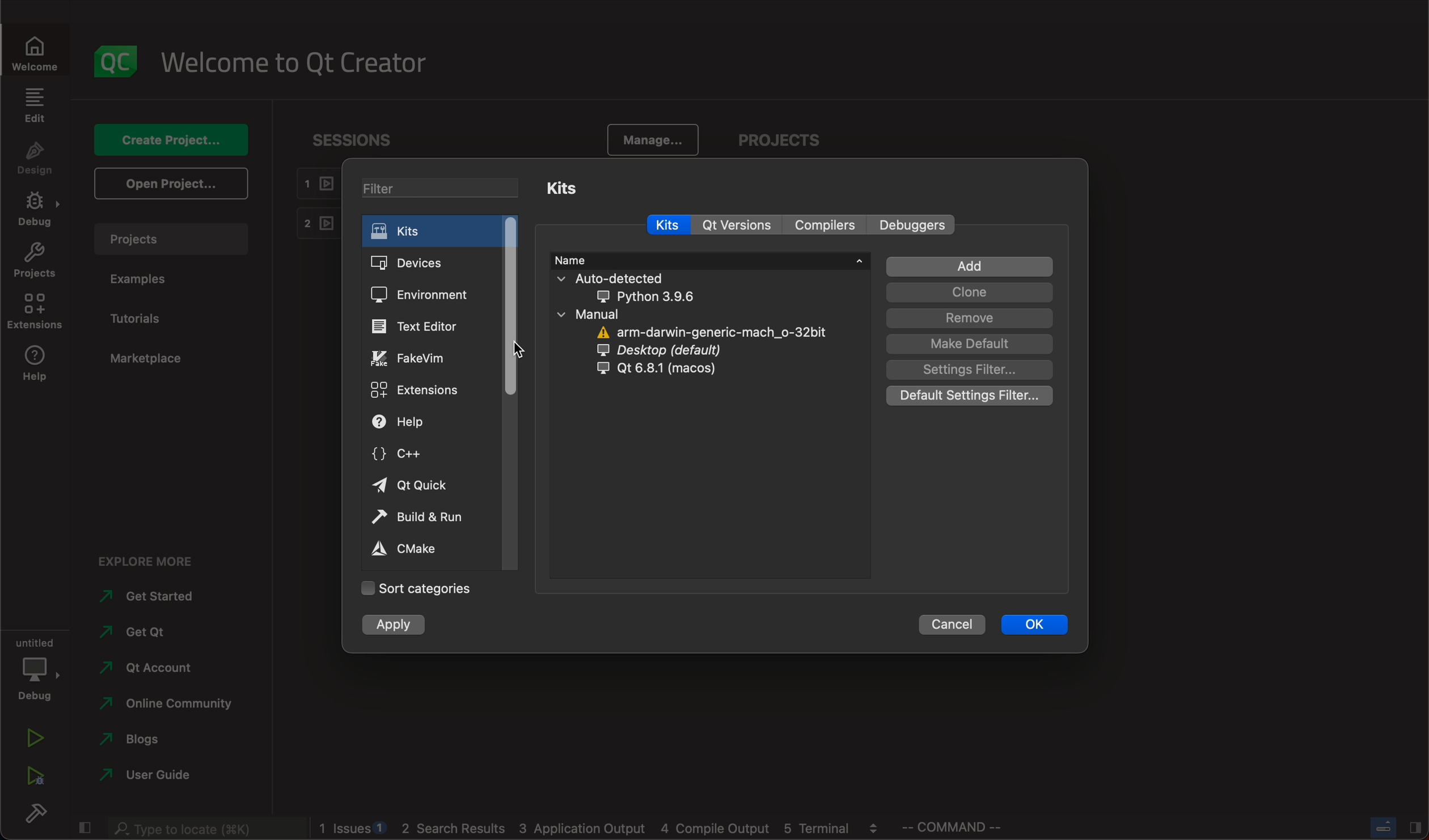 Image resolution: width=1429 pixels, height=840 pixels. What do you see at coordinates (422, 422) in the screenshot?
I see `help` at bounding box center [422, 422].